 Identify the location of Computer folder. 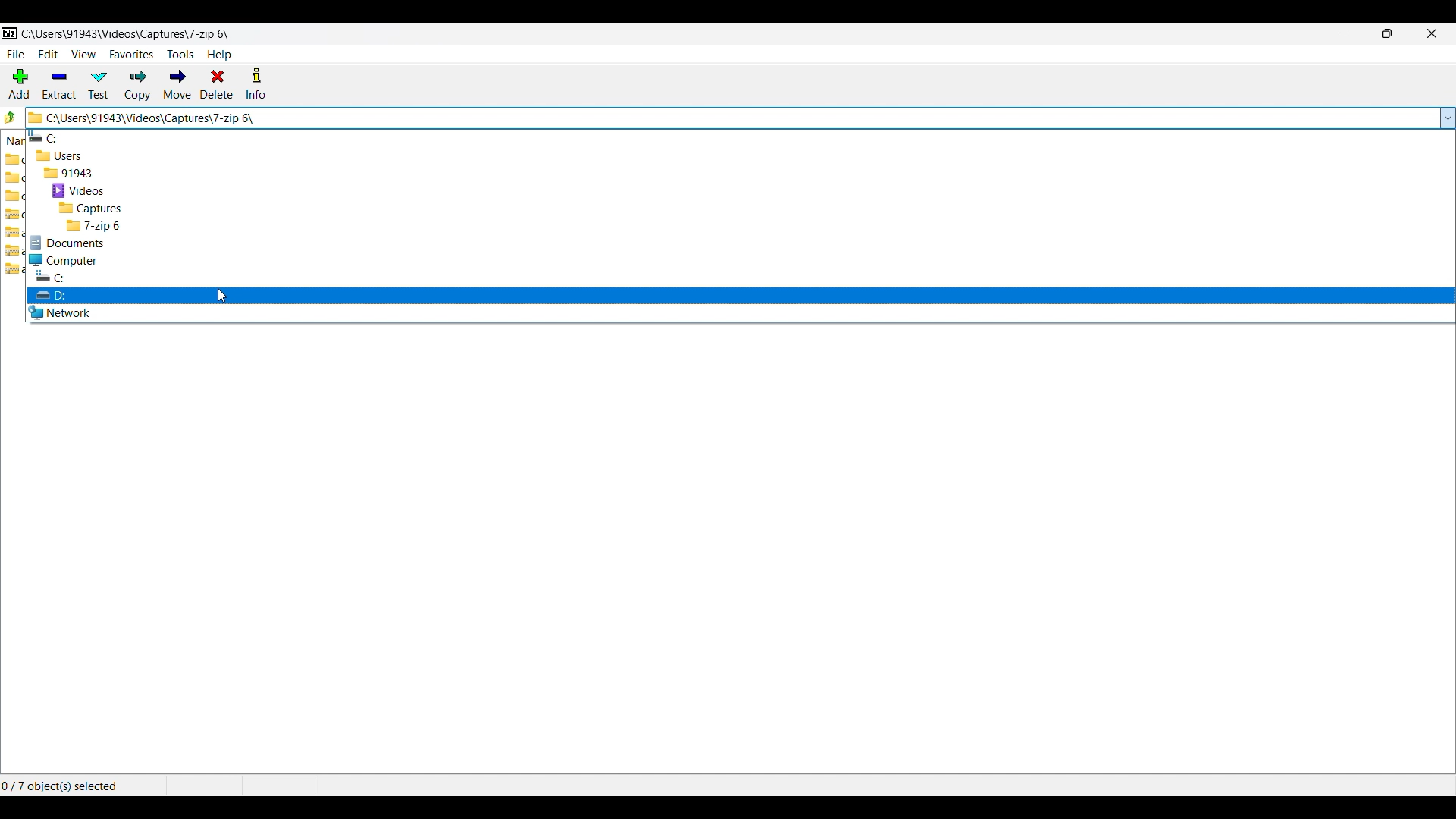
(740, 260).